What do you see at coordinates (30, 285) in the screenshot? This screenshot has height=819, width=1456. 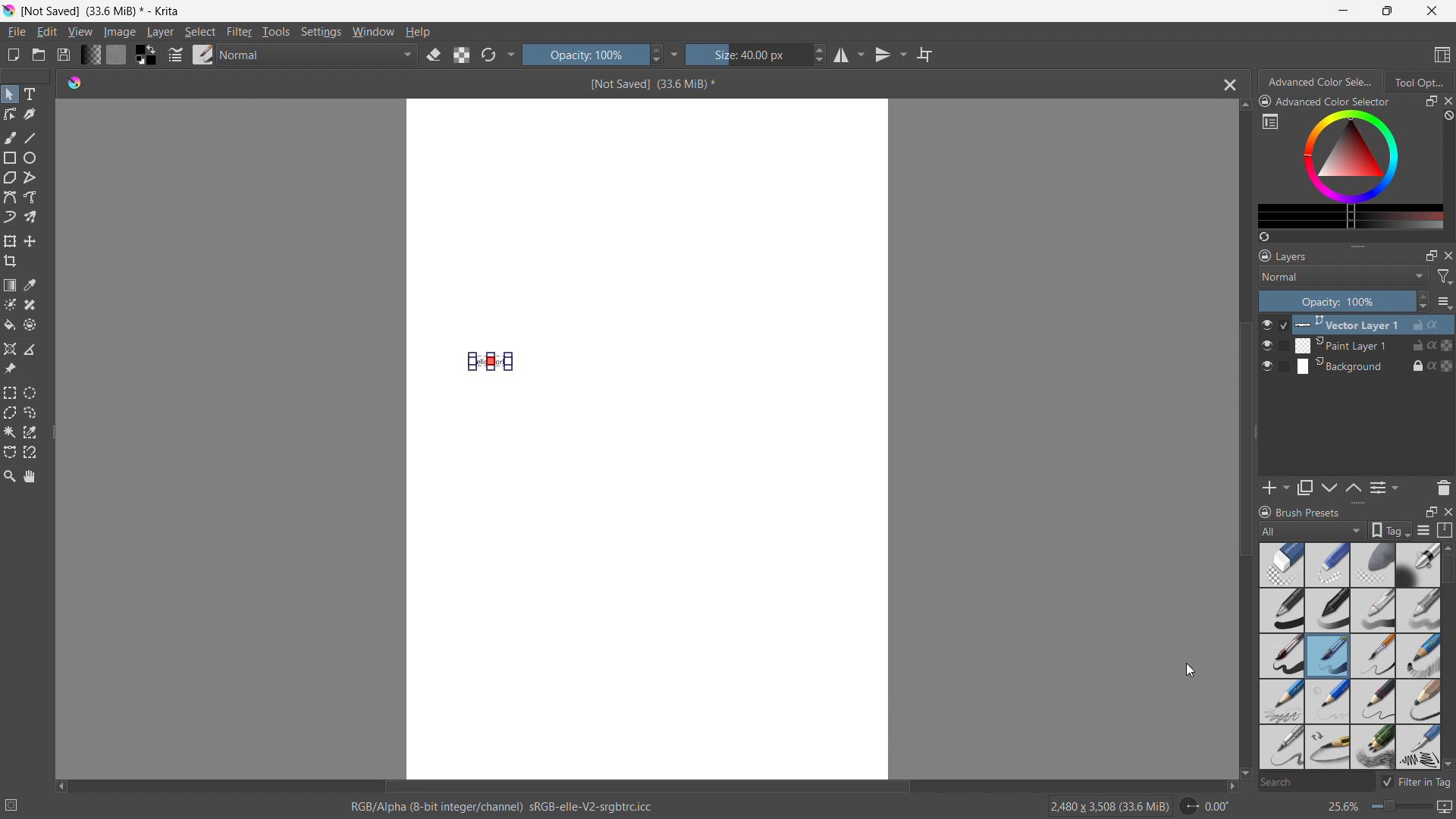 I see `sample a color from the image` at bounding box center [30, 285].